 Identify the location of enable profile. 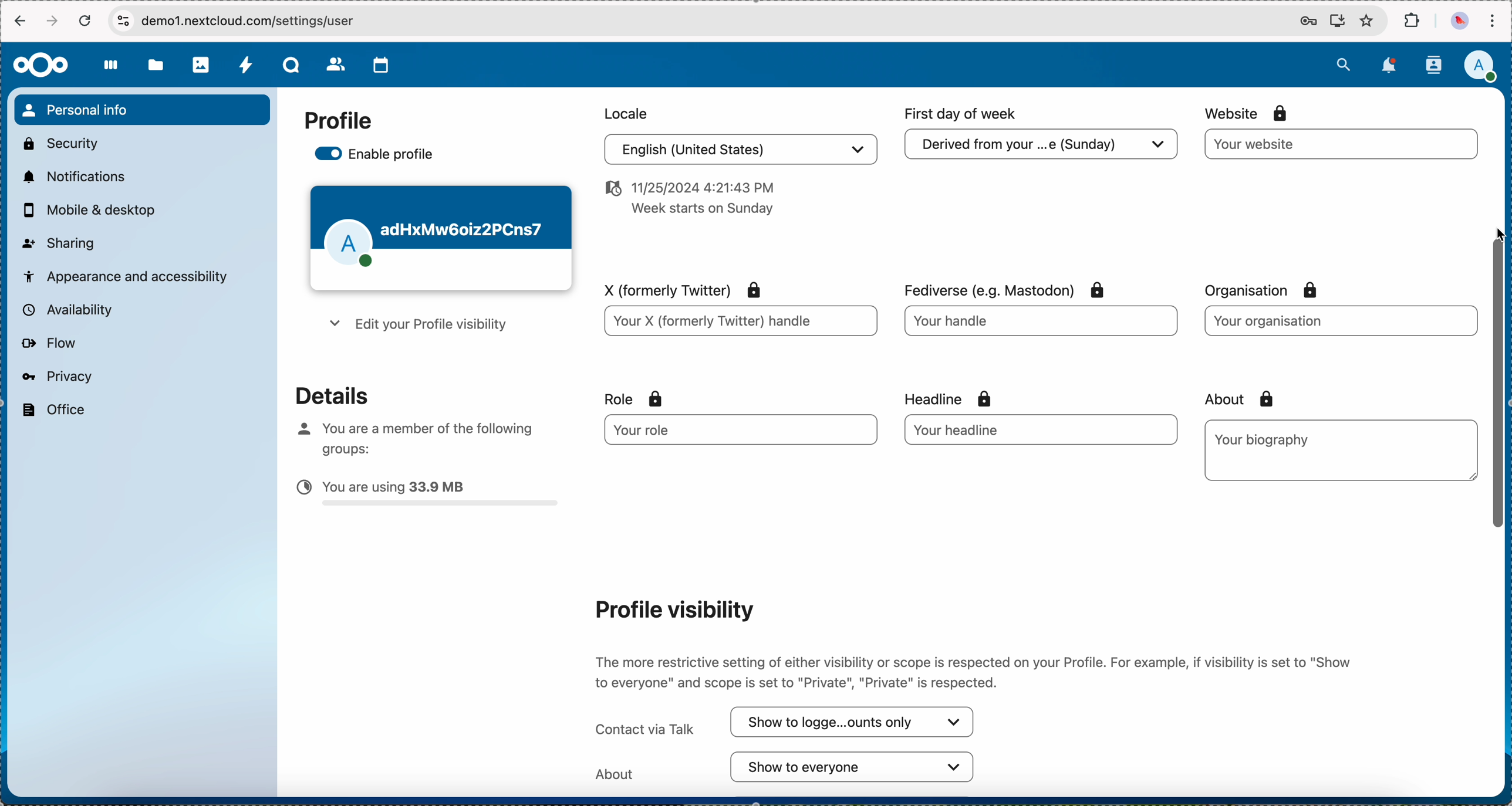
(377, 155).